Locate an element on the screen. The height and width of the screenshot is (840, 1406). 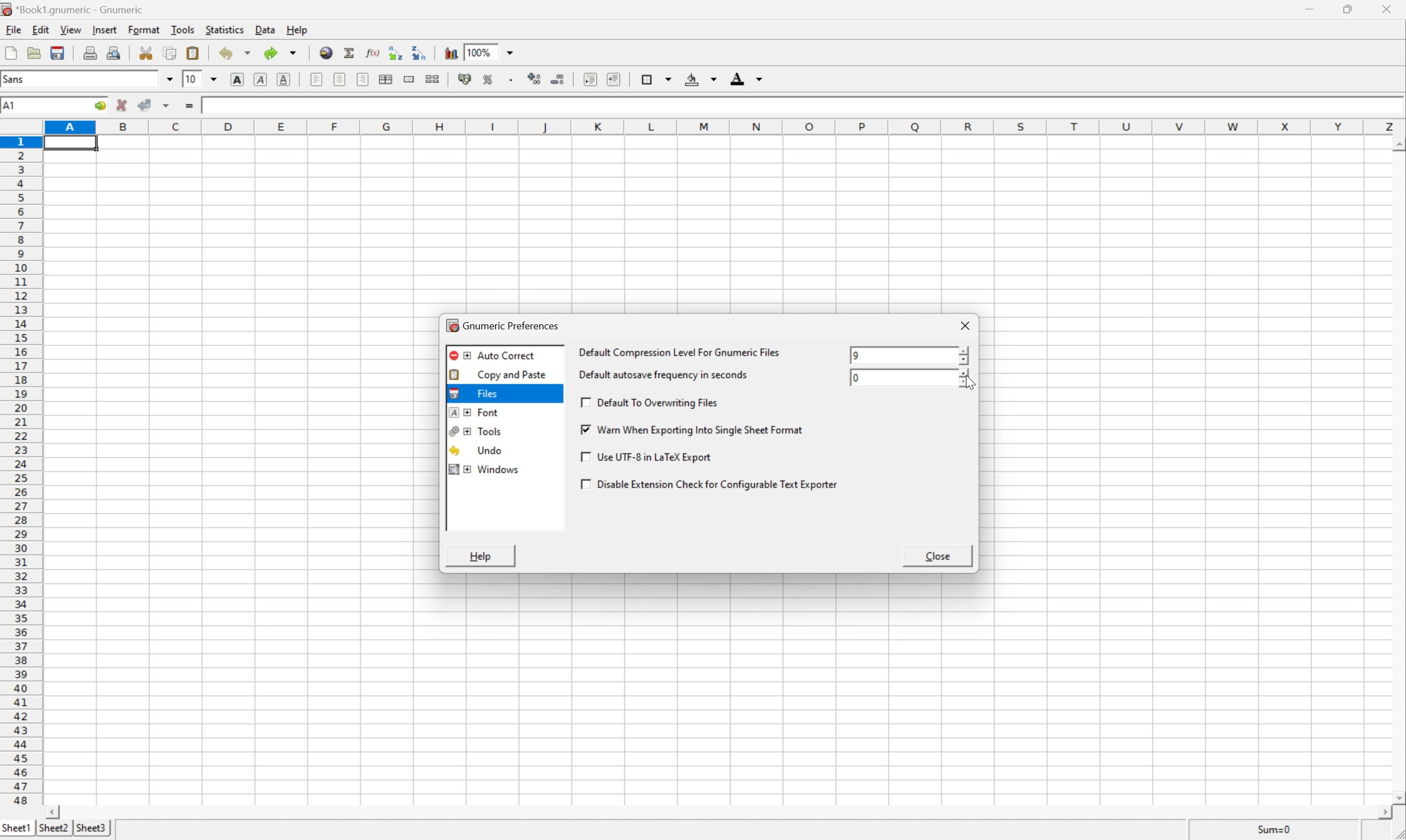
sheet2 is located at coordinates (52, 832).